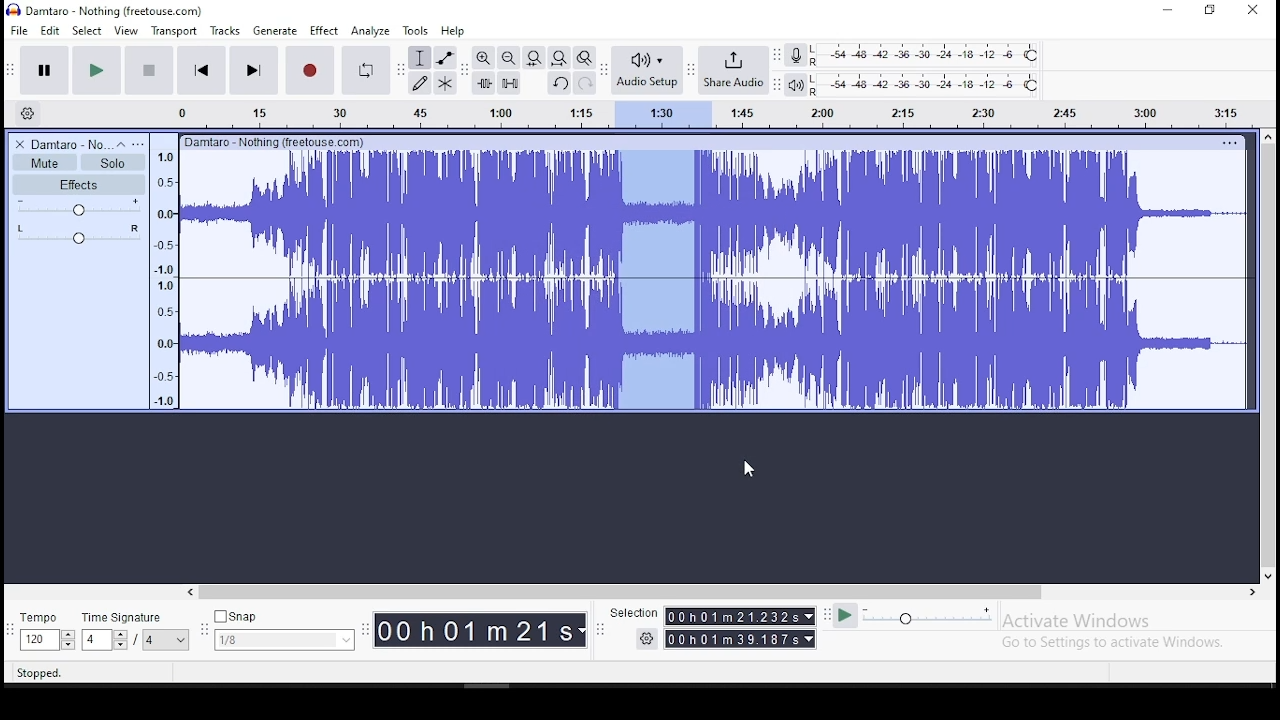  Describe the element at coordinates (399, 68) in the screenshot. I see `` at that location.